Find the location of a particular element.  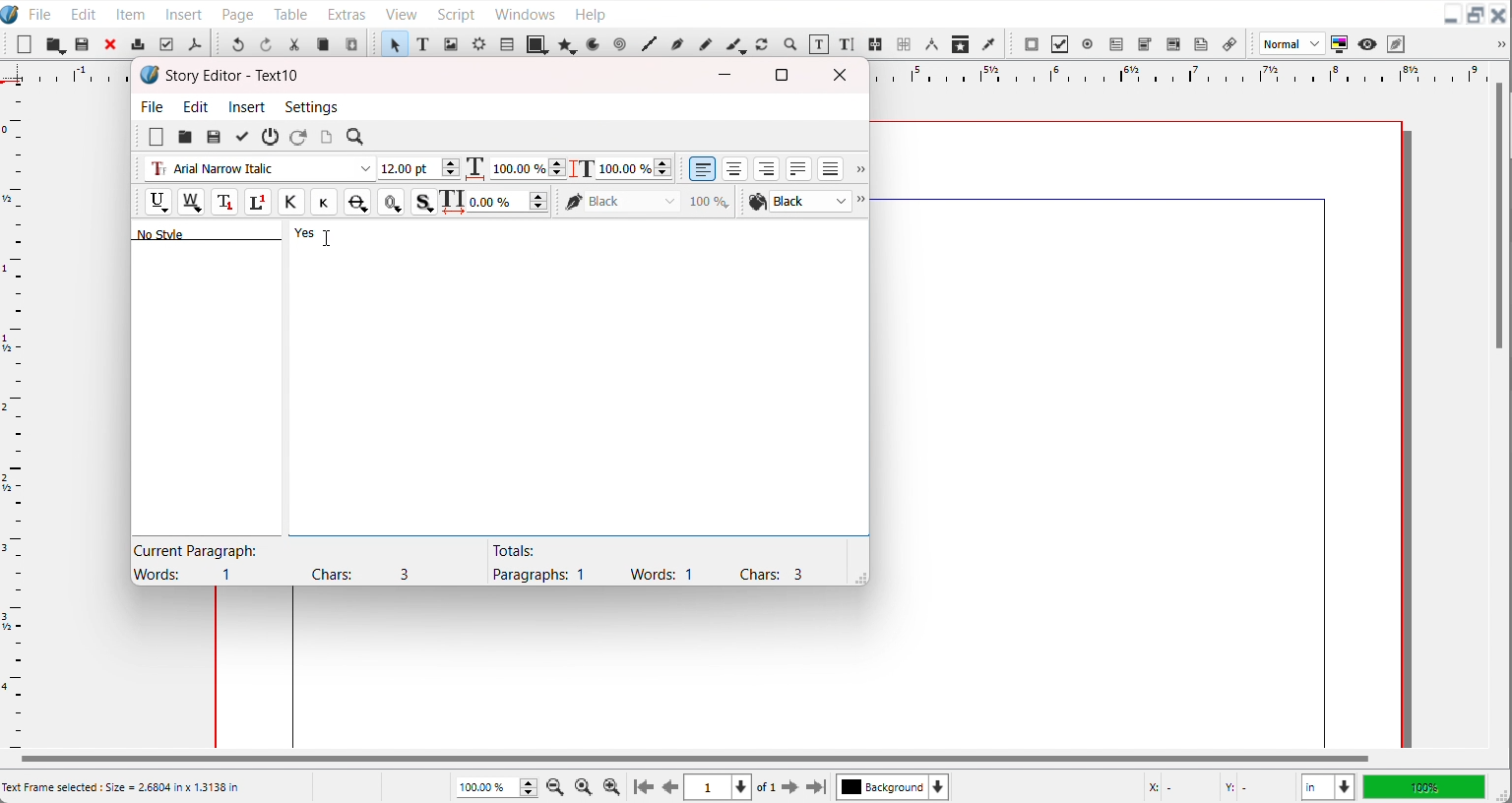

New is located at coordinates (25, 44).